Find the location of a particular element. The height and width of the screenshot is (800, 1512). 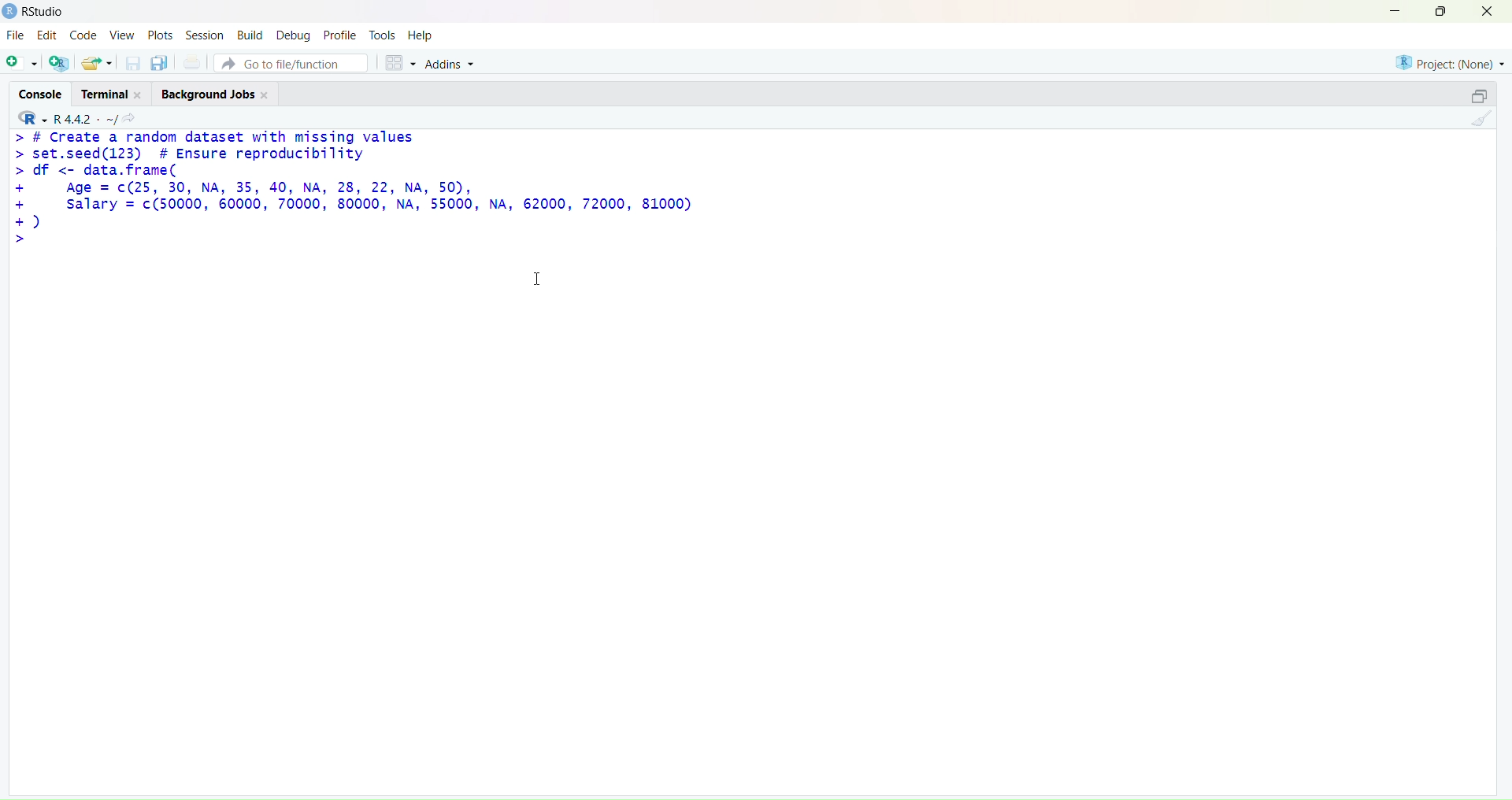

profile is located at coordinates (339, 35).